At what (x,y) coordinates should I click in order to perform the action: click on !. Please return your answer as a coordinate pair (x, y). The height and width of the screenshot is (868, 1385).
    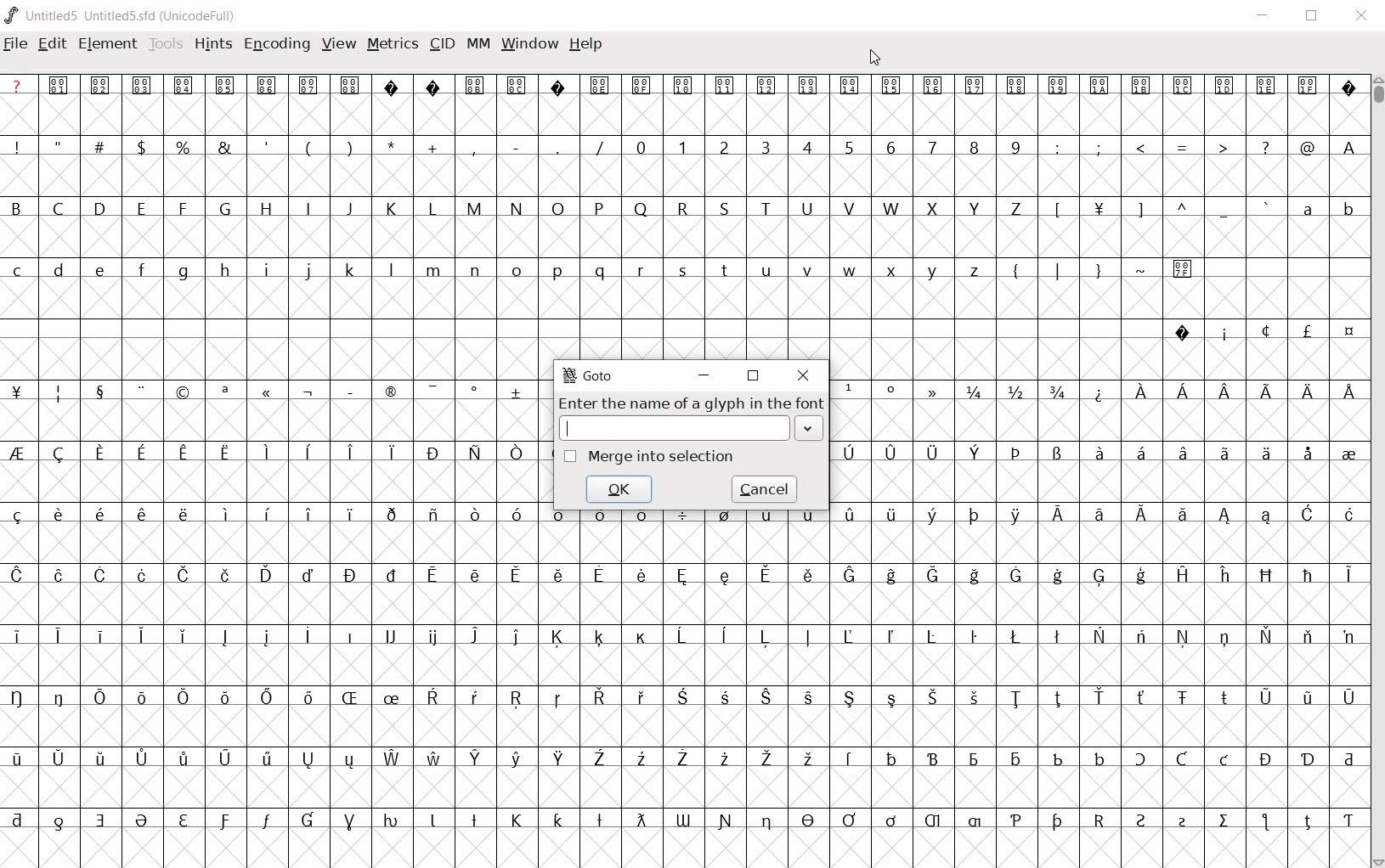
    Looking at the image, I should click on (21, 146).